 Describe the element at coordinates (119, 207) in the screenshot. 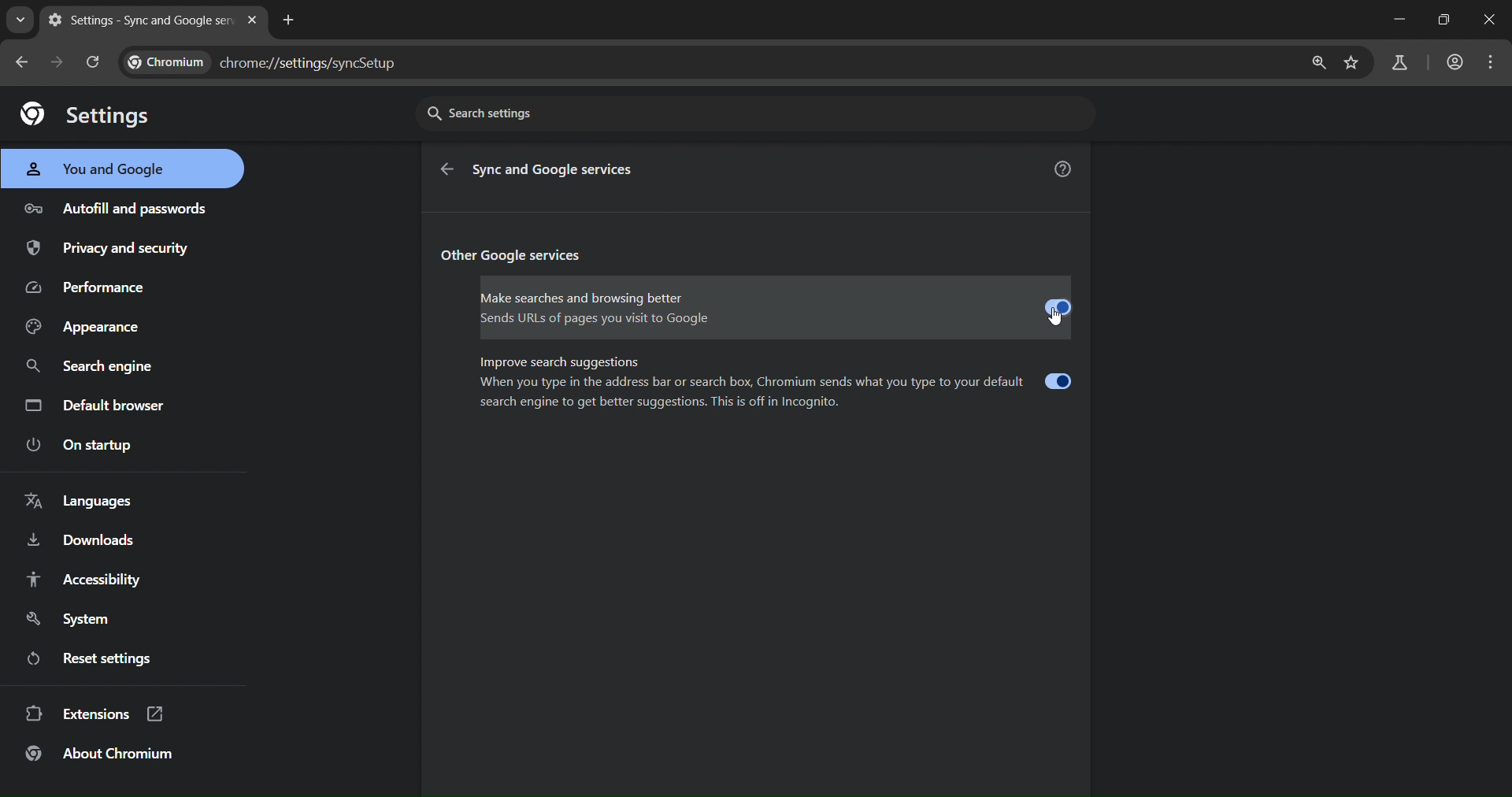

I see `autofill and passwords` at that location.